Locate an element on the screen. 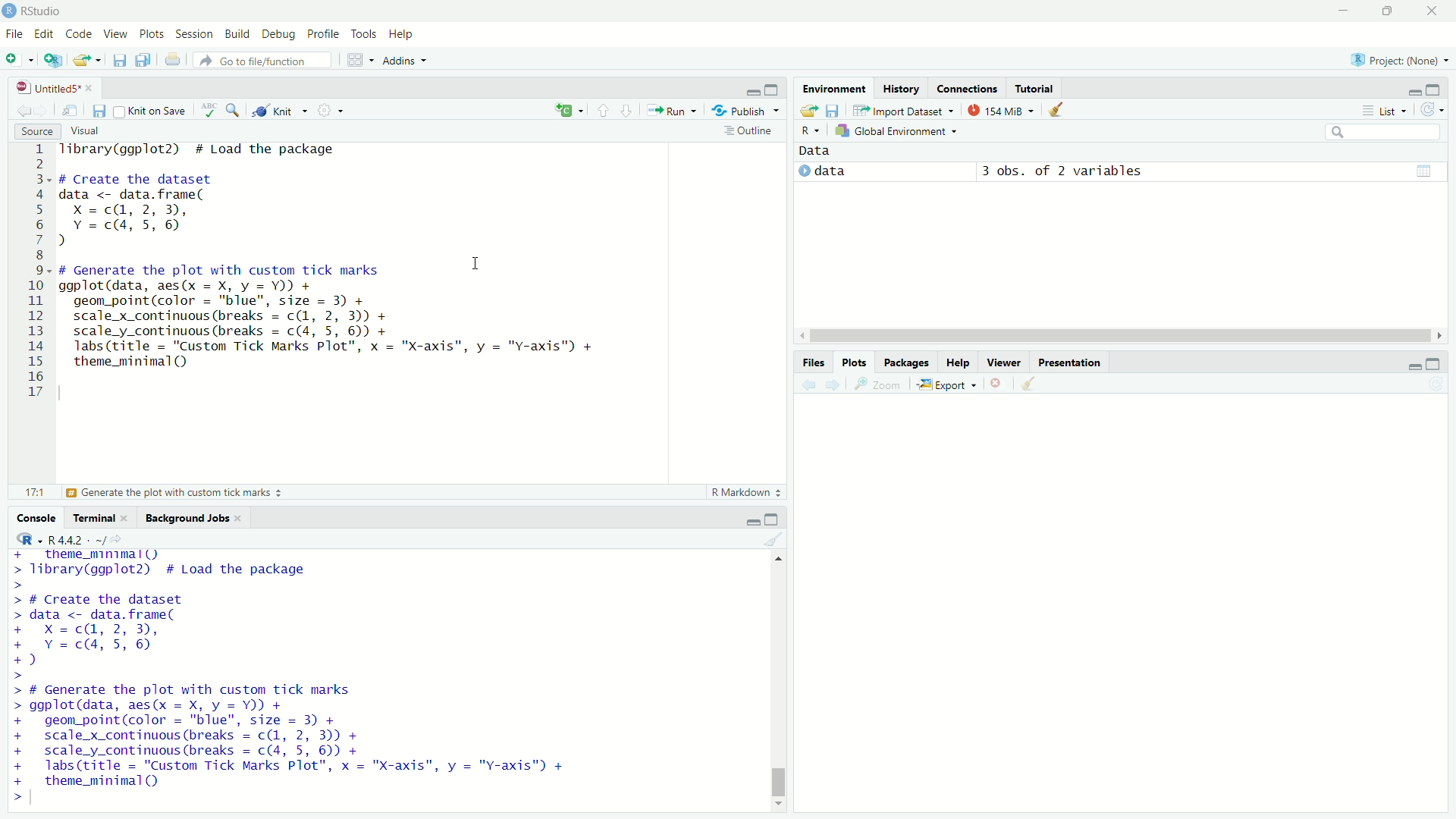 This screenshot has height=819, width=1456. list is located at coordinates (1385, 110).